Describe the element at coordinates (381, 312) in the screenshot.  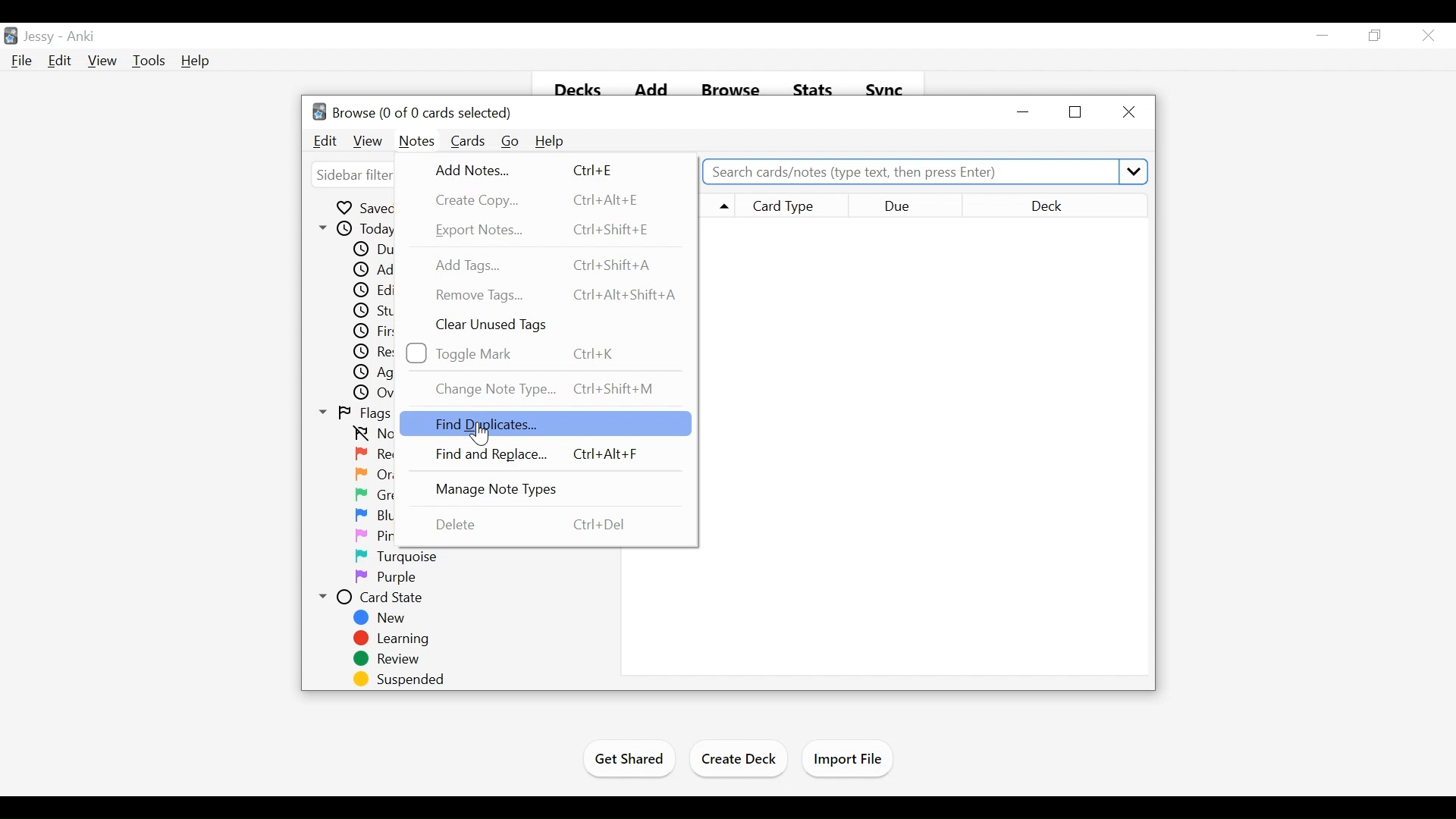
I see `Studied` at that location.